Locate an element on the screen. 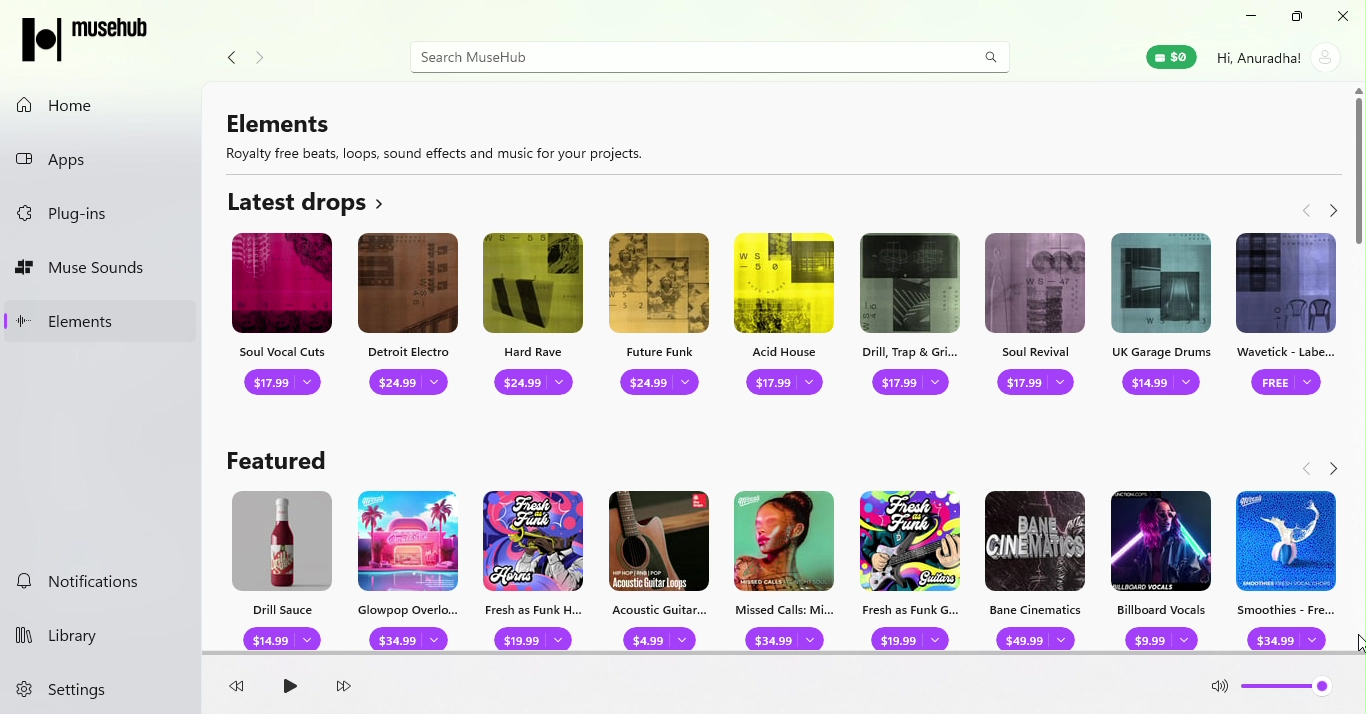  Glowpop overload is located at coordinates (411, 566).